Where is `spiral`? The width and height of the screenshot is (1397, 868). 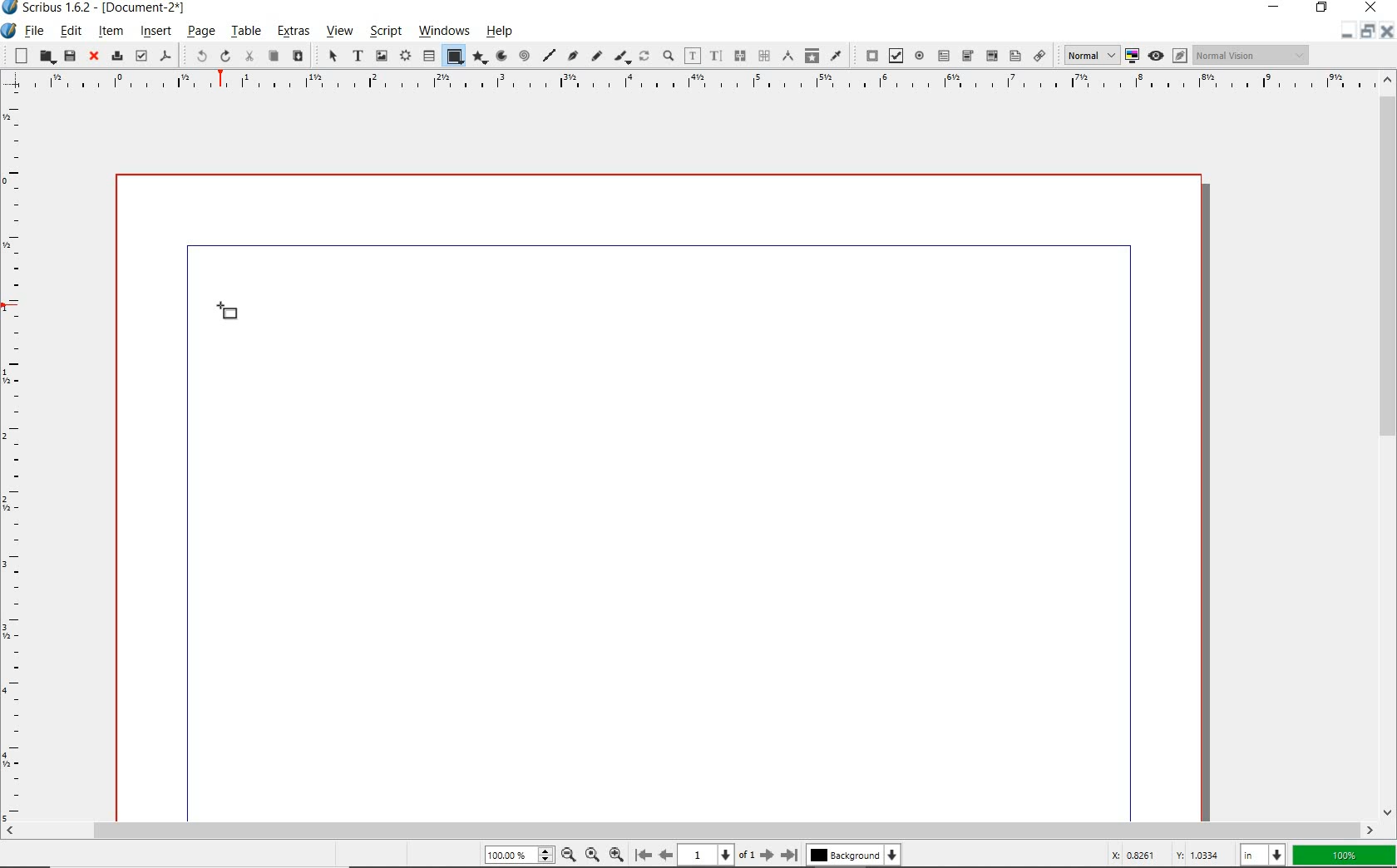
spiral is located at coordinates (526, 56).